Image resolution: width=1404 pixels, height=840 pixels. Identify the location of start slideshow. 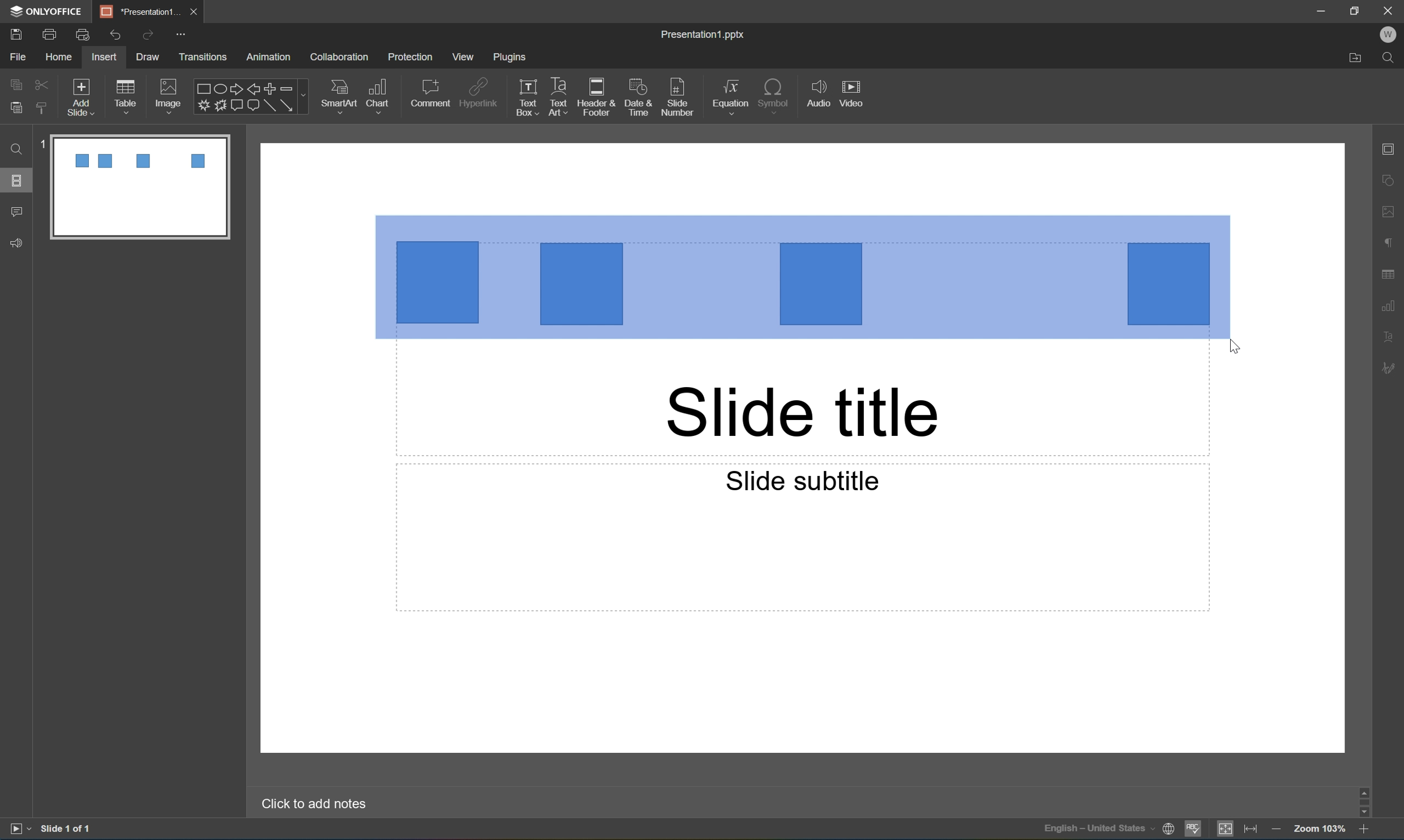
(19, 829).